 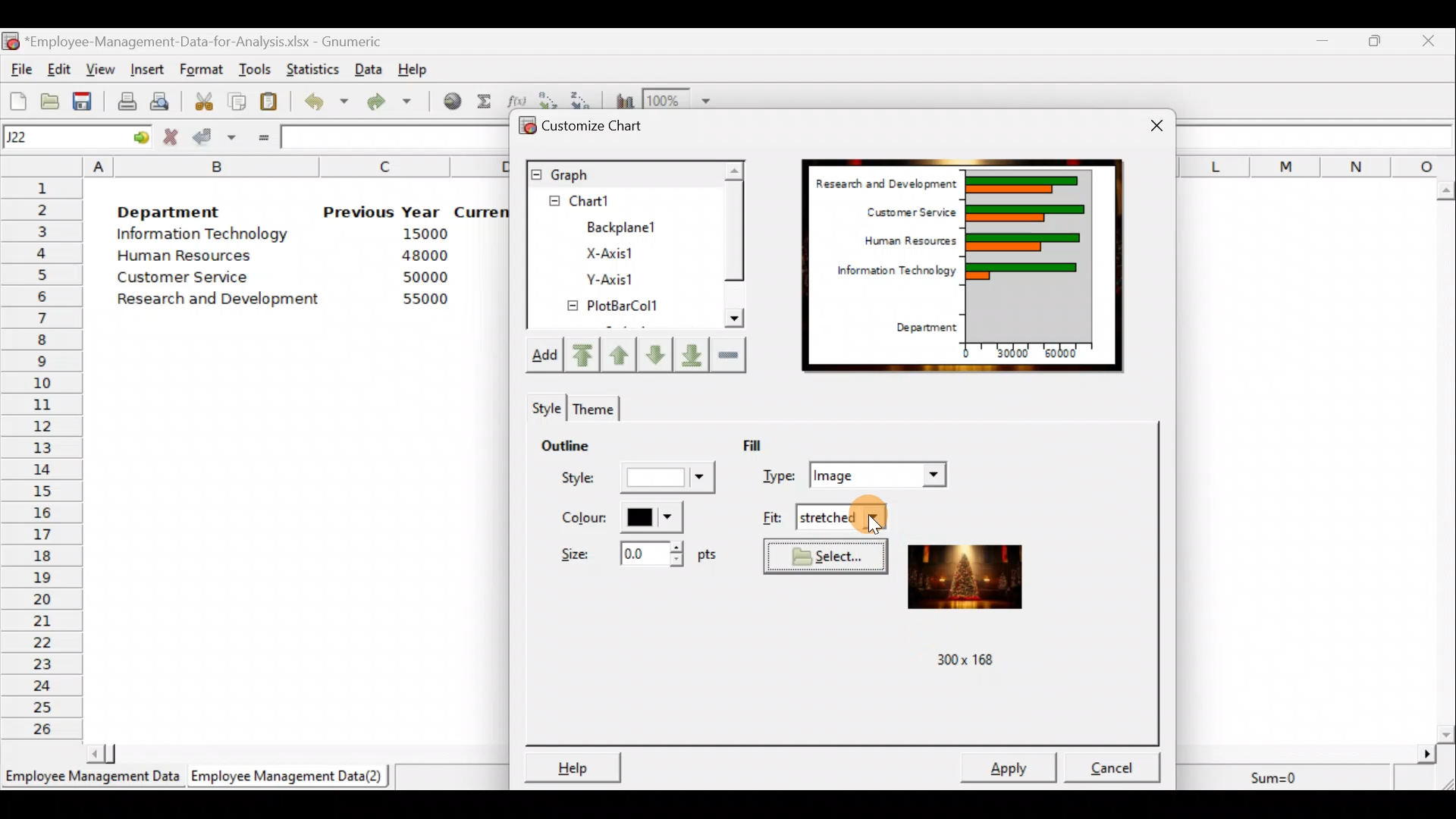 What do you see at coordinates (140, 137) in the screenshot?
I see `go to` at bounding box center [140, 137].